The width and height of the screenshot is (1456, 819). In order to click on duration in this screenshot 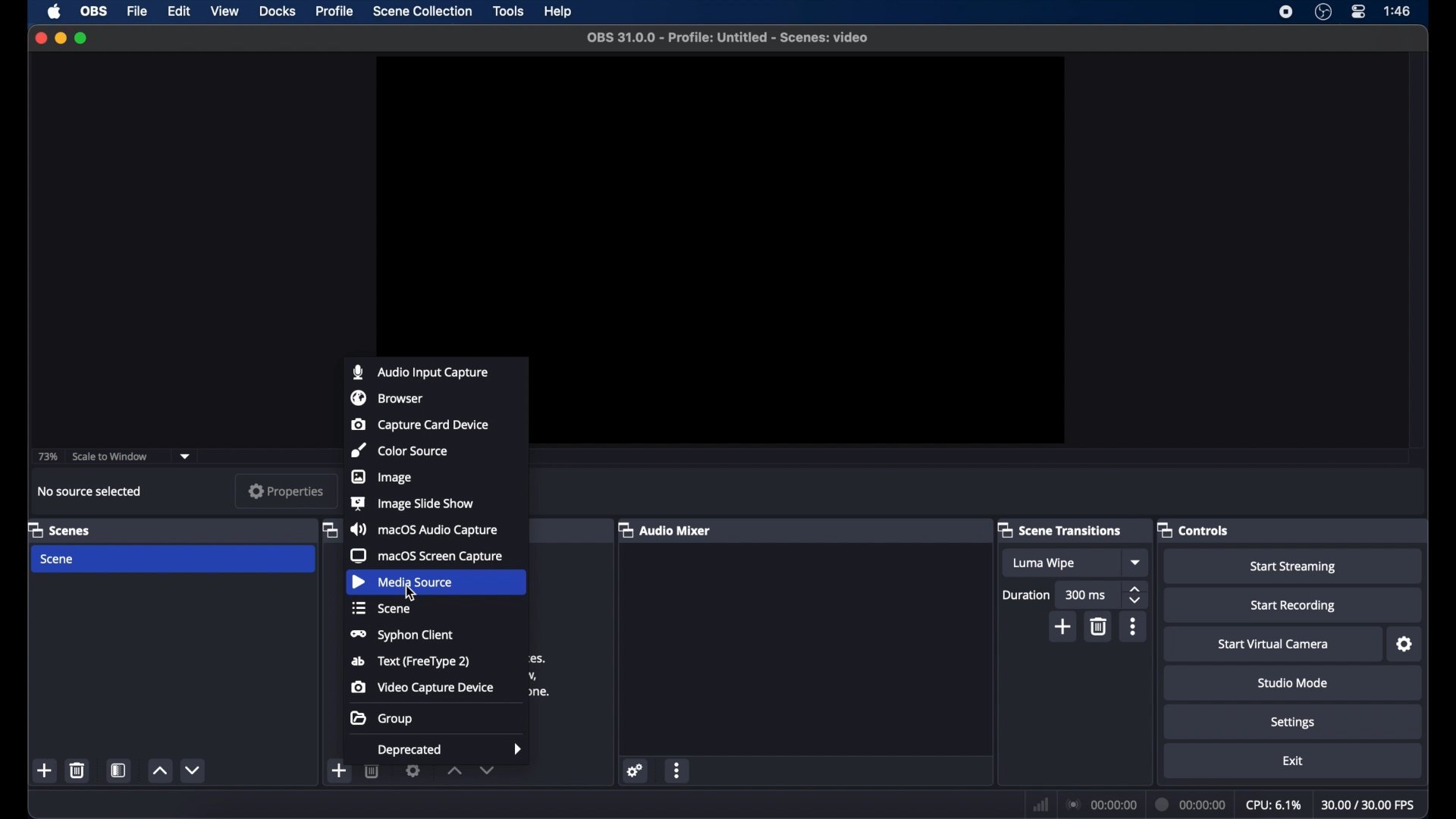, I will do `click(1192, 805)`.